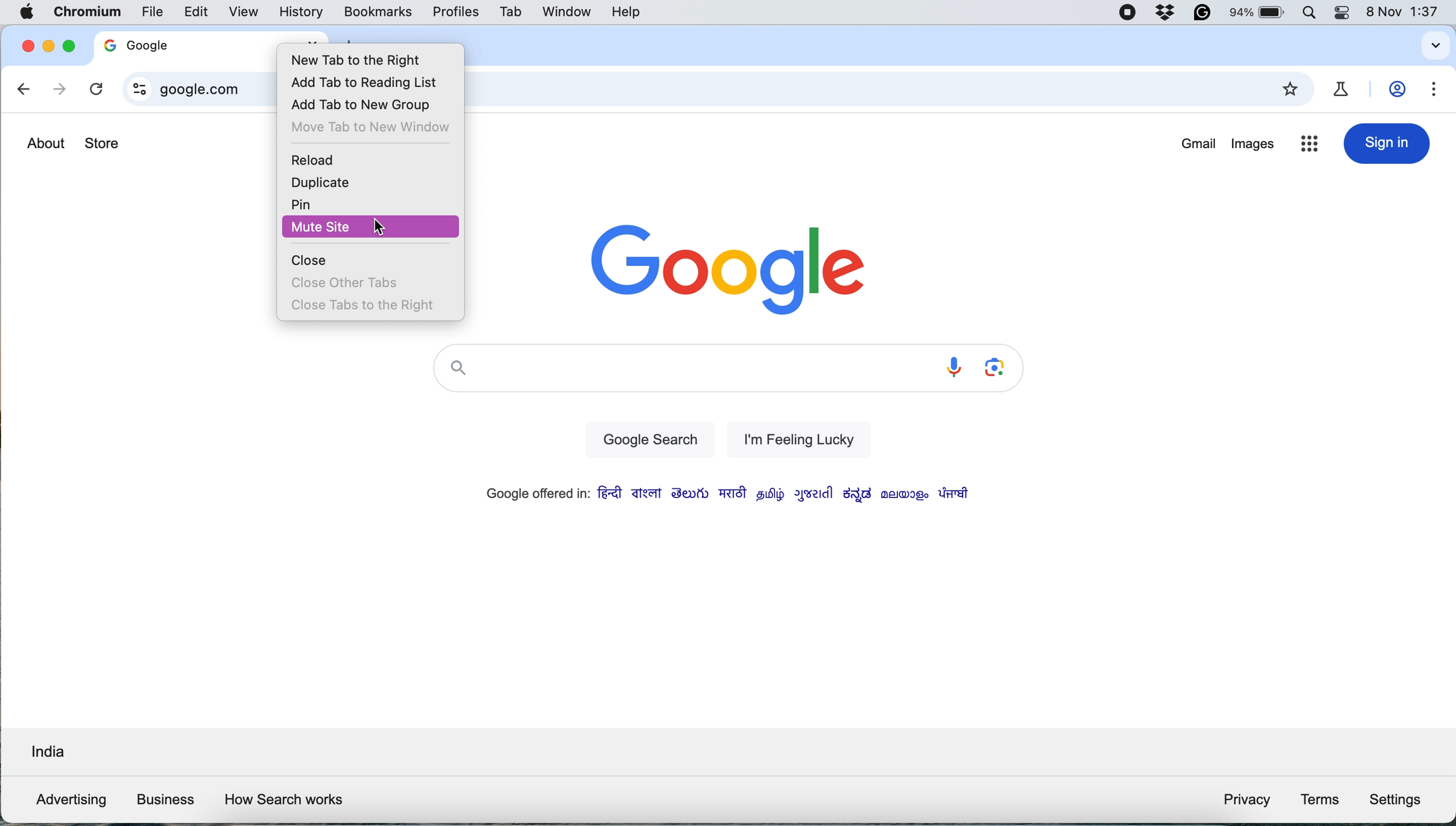 The height and width of the screenshot is (826, 1456). Describe the element at coordinates (724, 495) in the screenshot. I see `google languages` at that location.